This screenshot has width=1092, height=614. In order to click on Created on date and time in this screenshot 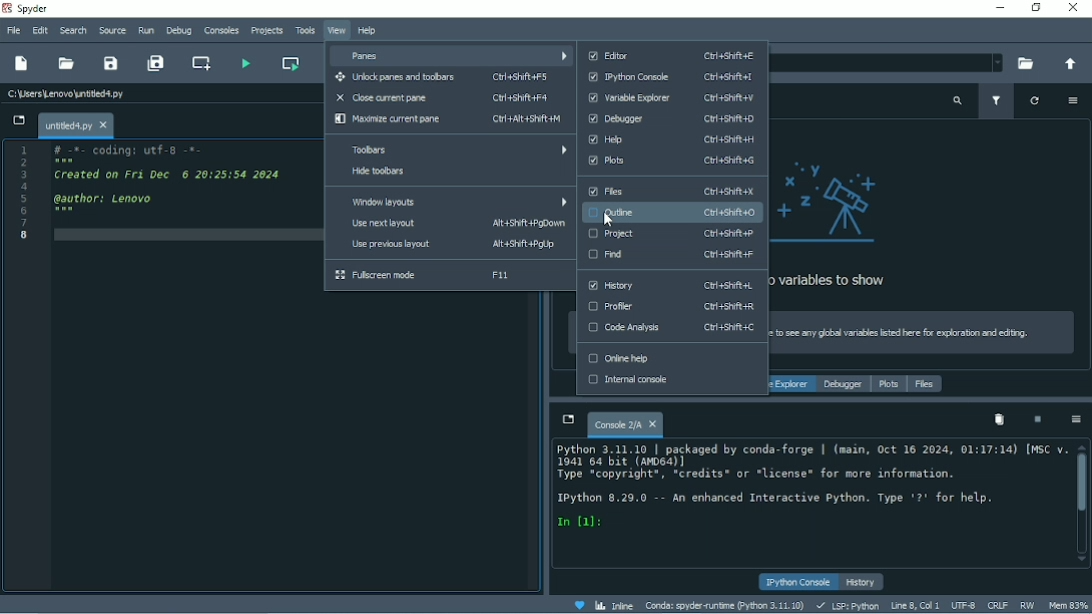, I will do `click(176, 173)`.